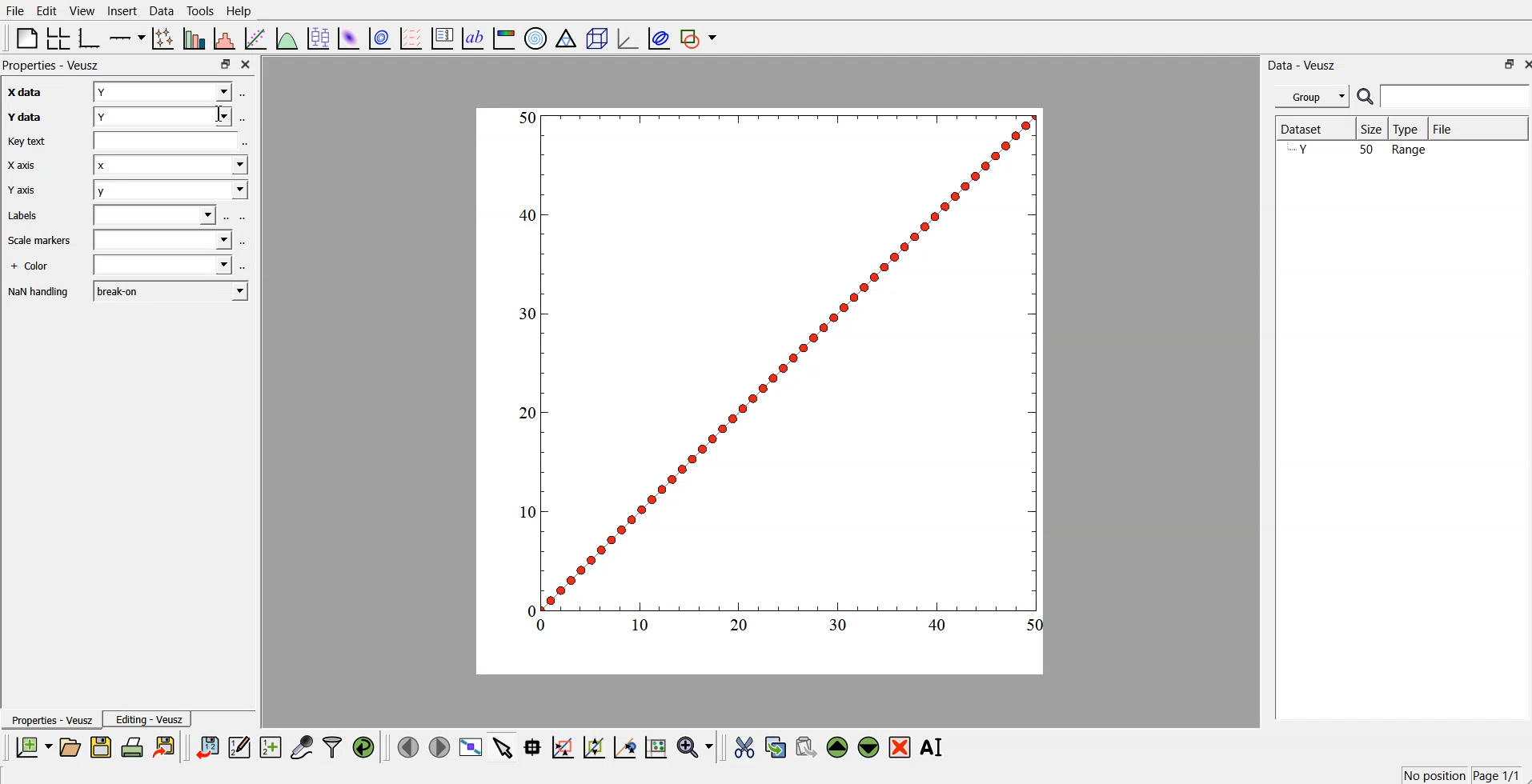 The height and width of the screenshot is (784, 1532). I want to click on Size, so click(1375, 130).